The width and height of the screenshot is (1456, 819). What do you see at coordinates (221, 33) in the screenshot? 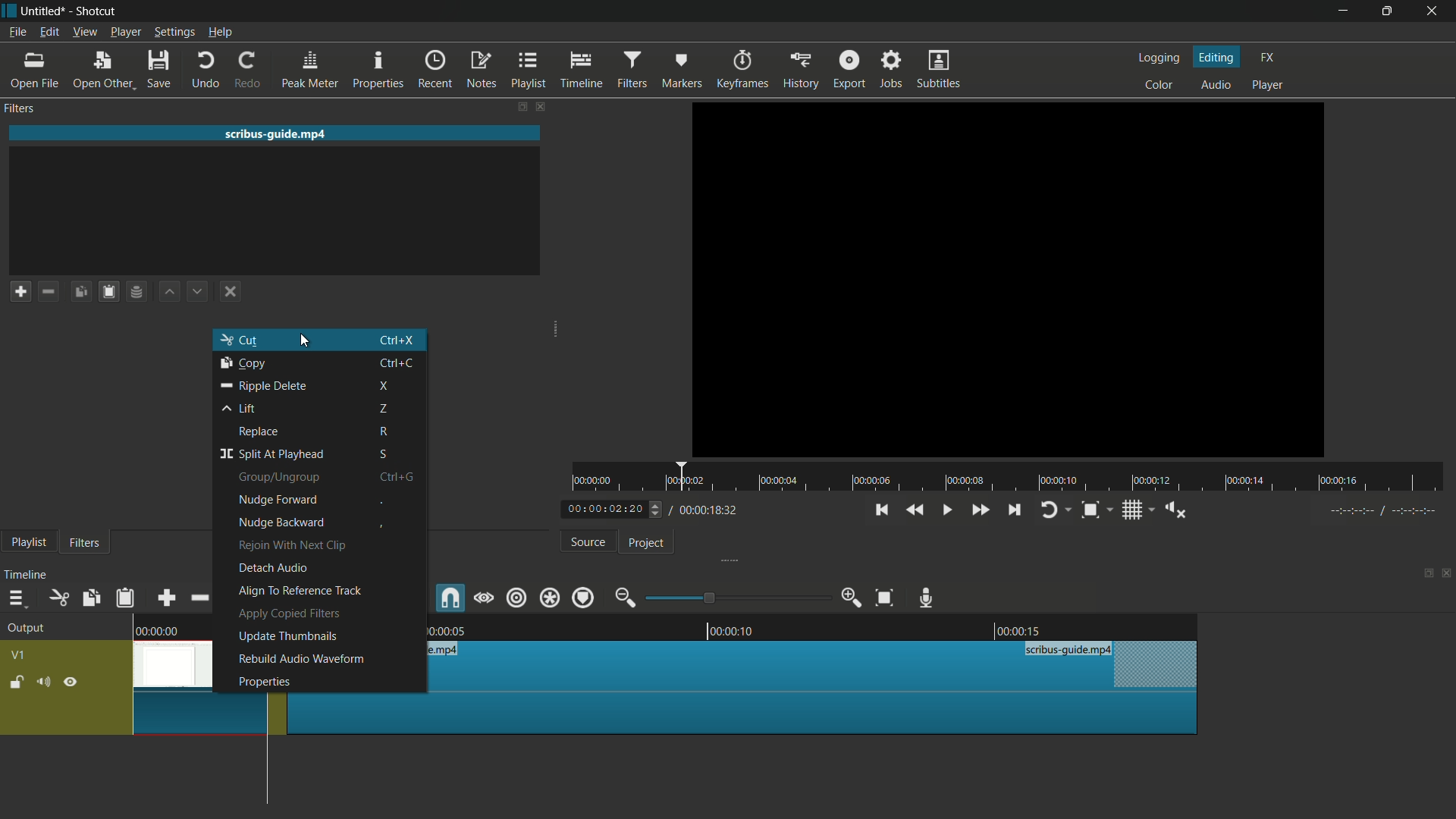
I see `help menu` at bounding box center [221, 33].